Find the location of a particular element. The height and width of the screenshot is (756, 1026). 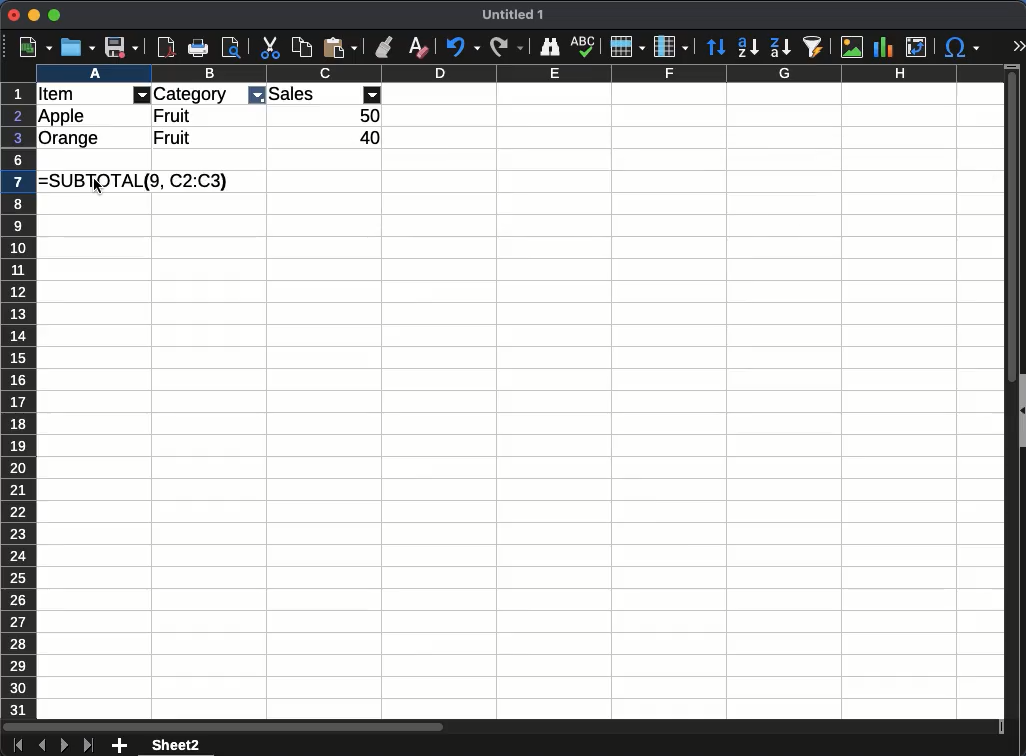

sheet2 is located at coordinates (179, 745).